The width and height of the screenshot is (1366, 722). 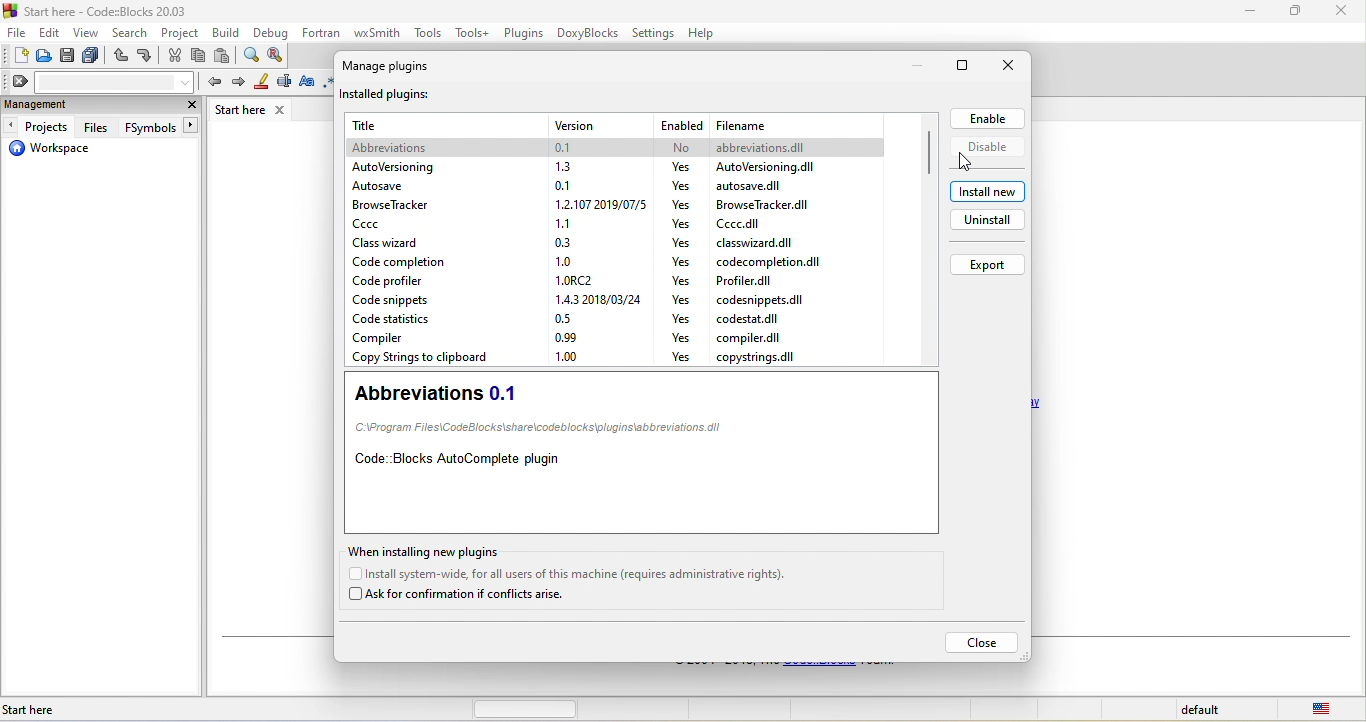 What do you see at coordinates (985, 191) in the screenshot?
I see `install new` at bounding box center [985, 191].